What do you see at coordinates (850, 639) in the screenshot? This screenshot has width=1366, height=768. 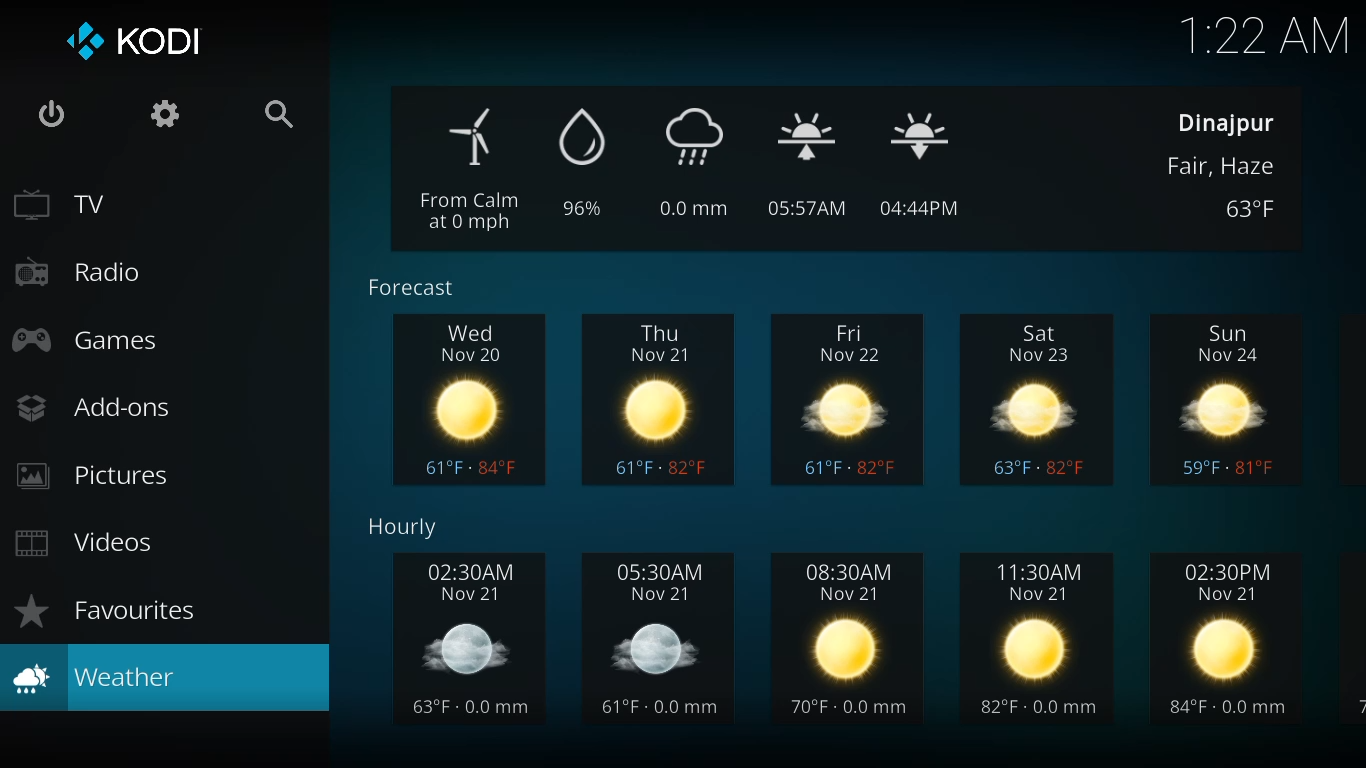 I see `8:30` at bounding box center [850, 639].